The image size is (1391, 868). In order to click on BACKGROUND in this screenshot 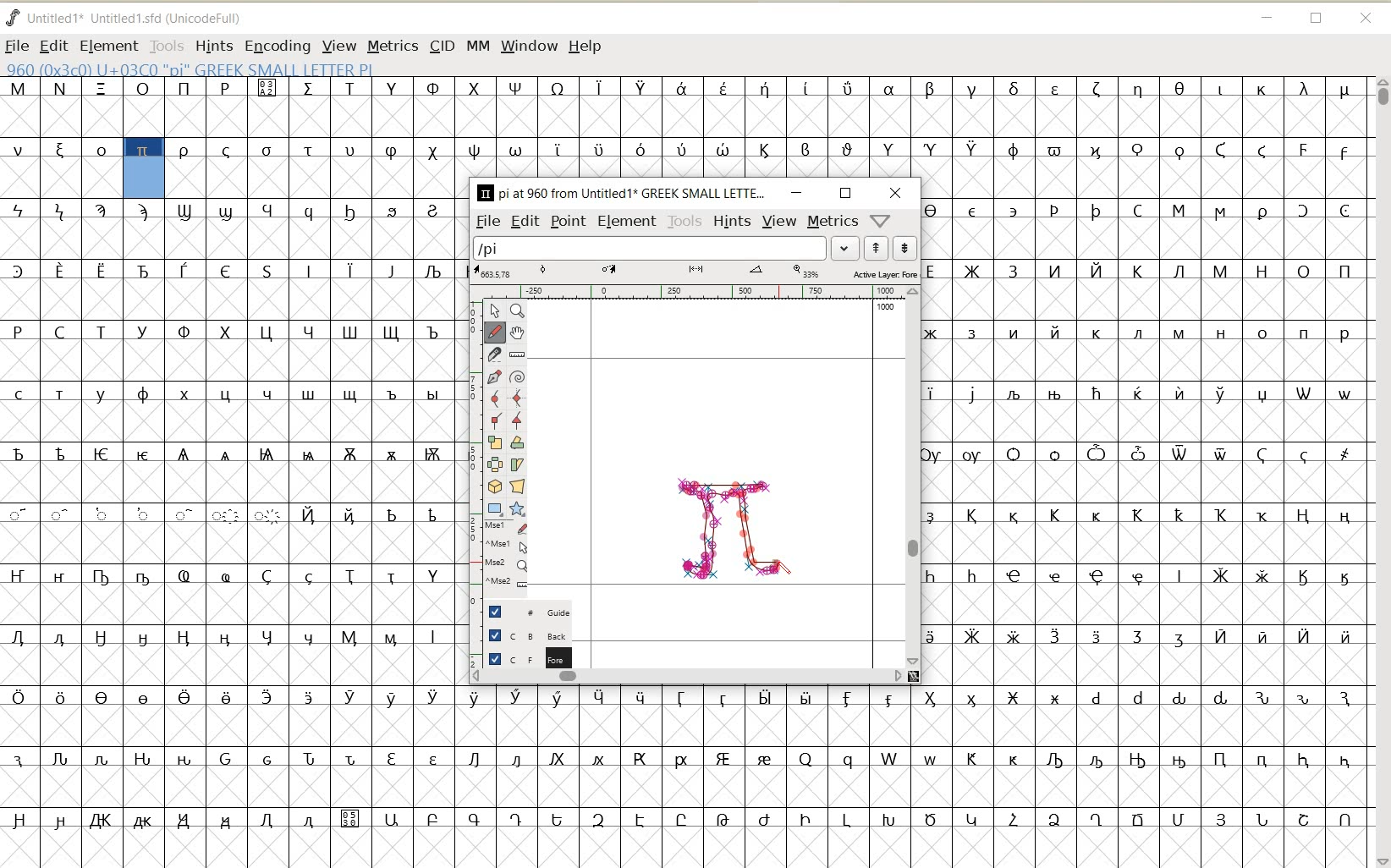, I will do `click(520, 637)`.